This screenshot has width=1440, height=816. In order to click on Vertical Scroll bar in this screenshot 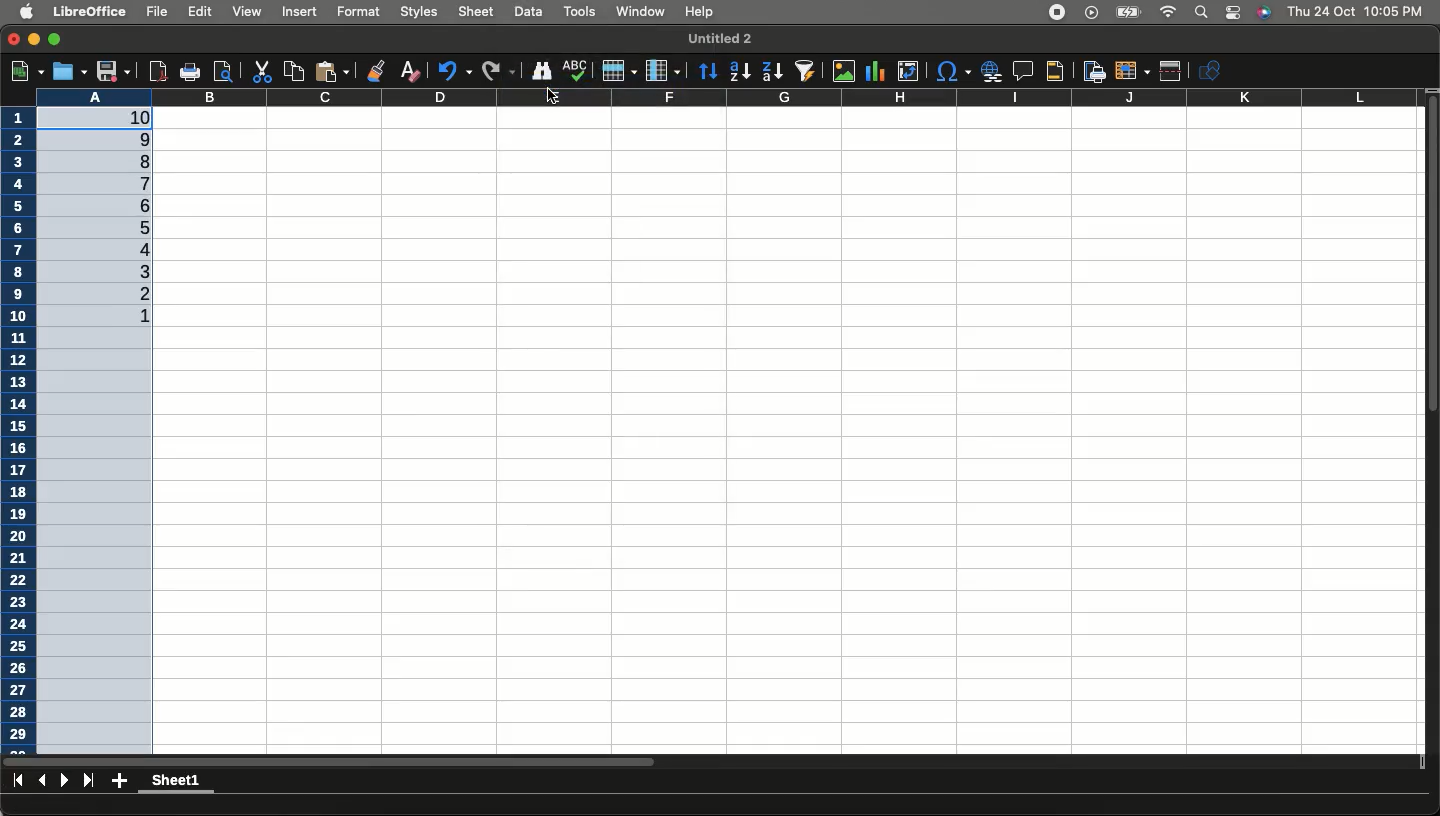, I will do `click(1431, 269)`.